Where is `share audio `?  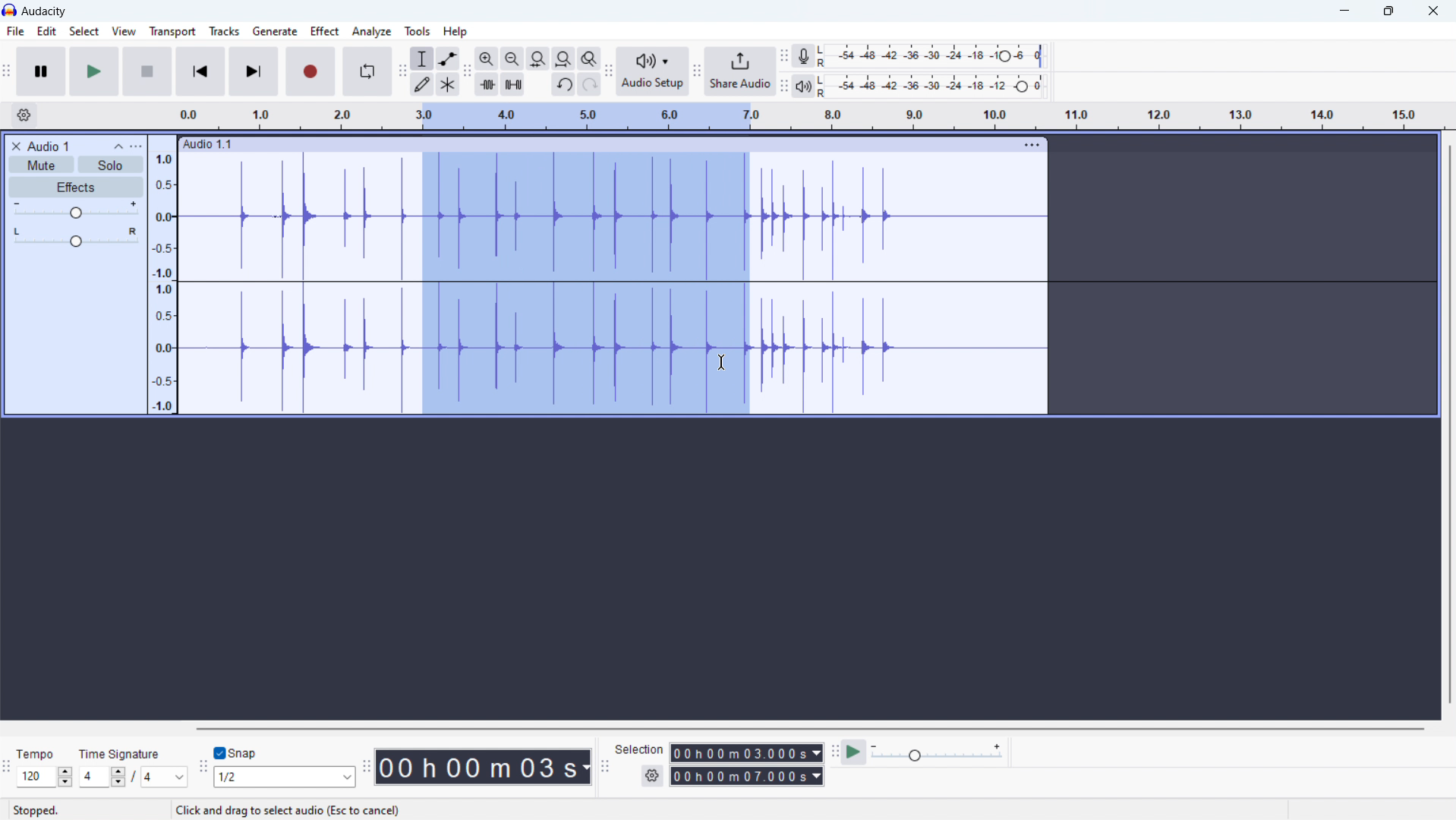 share audio  is located at coordinates (740, 71).